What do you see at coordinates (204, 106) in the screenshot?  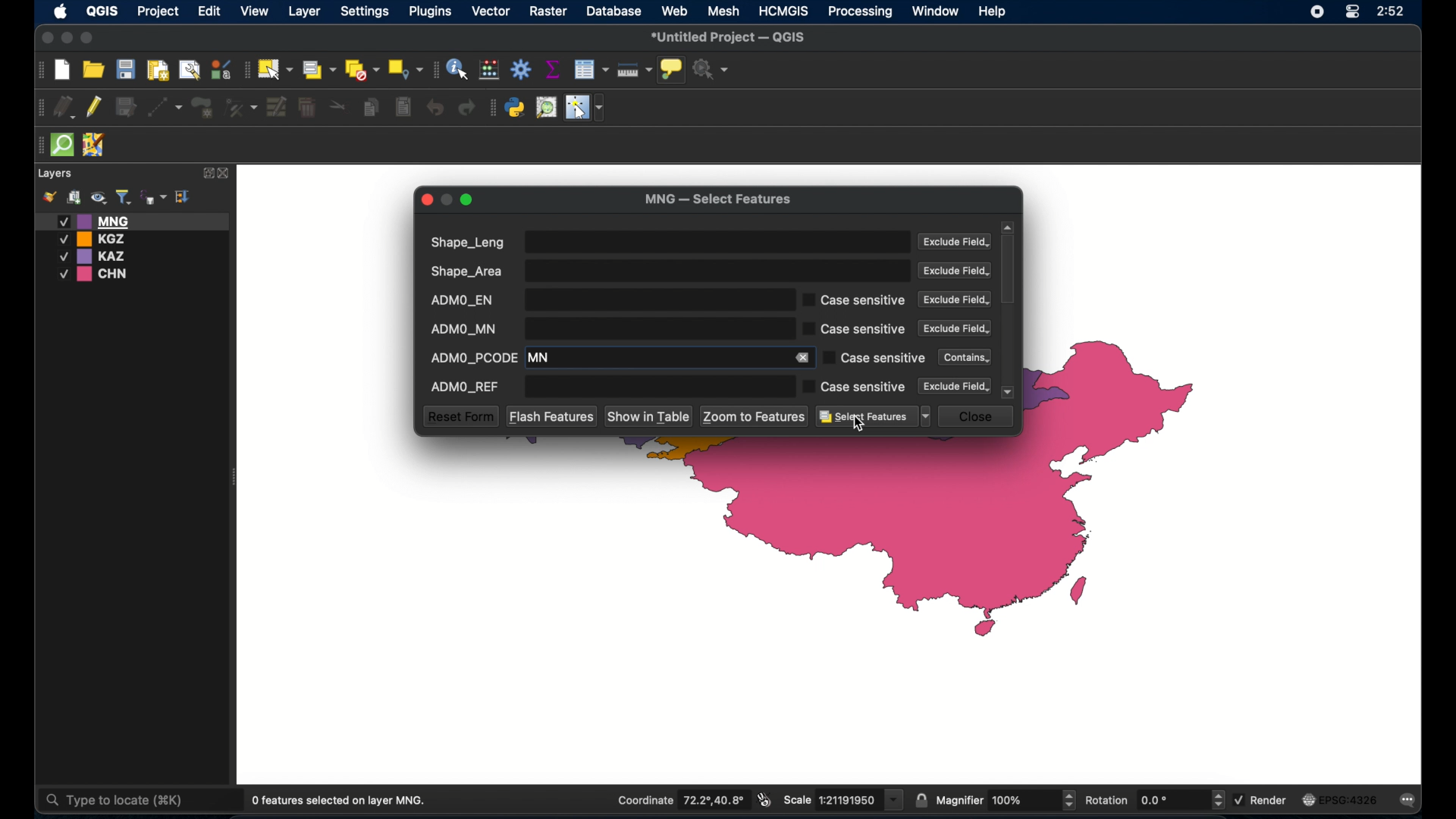 I see `add polygon feature` at bounding box center [204, 106].